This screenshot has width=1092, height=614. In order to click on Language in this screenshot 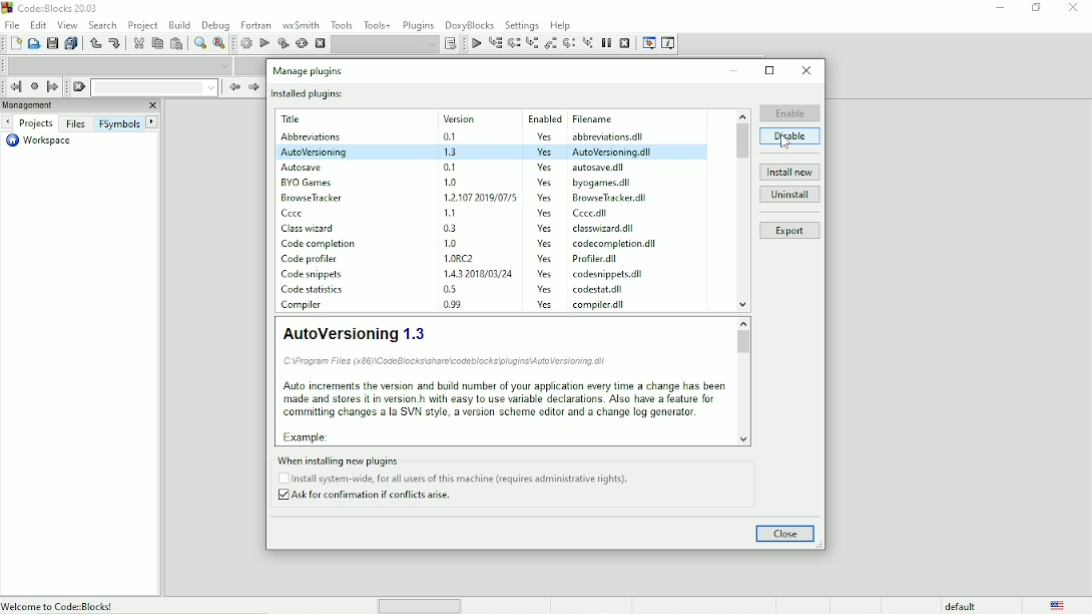, I will do `click(1059, 606)`.